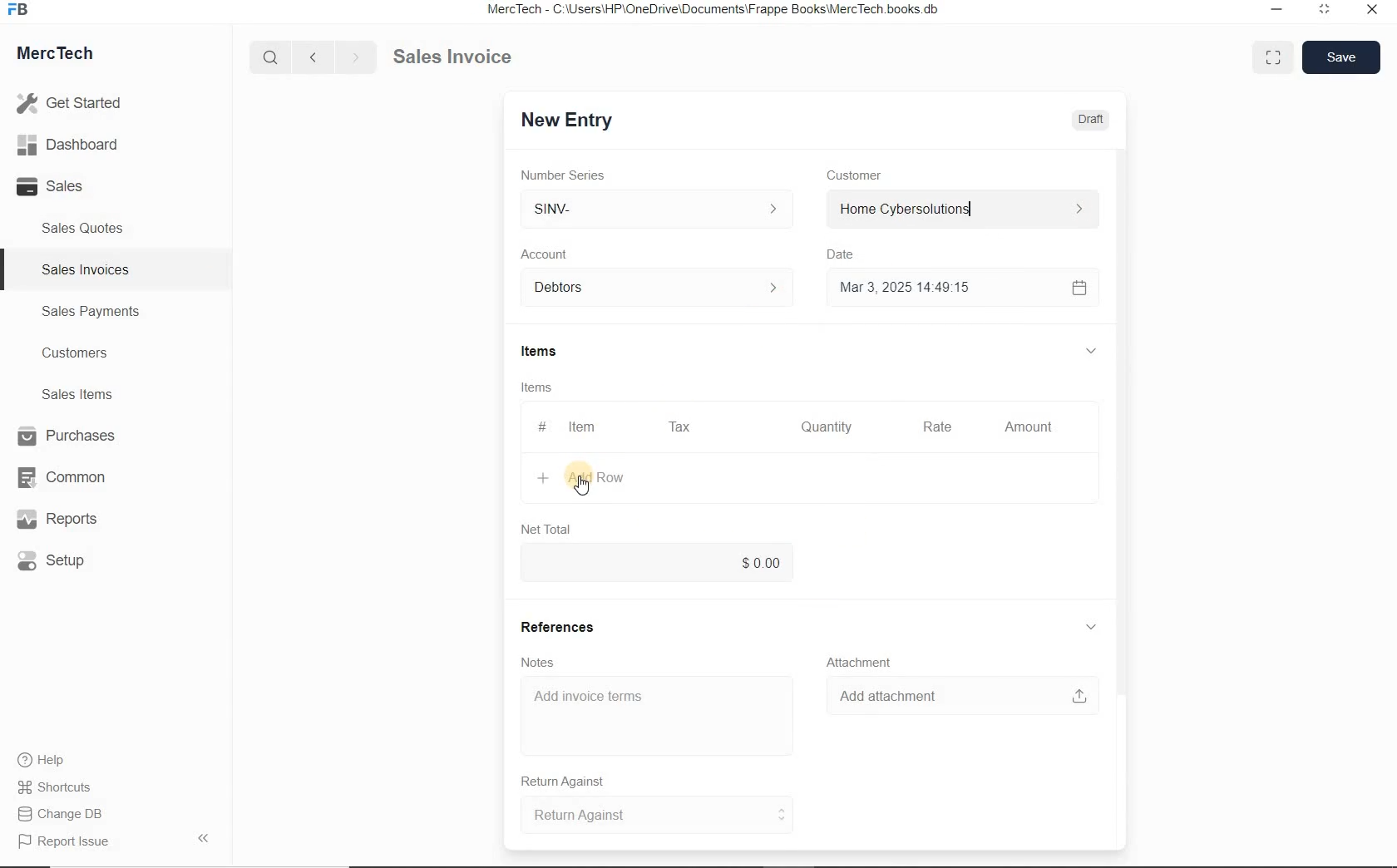  What do you see at coordinates (88, 312) in the screenshot?
I see `Sales Payments` at bounding box center [88, 312].